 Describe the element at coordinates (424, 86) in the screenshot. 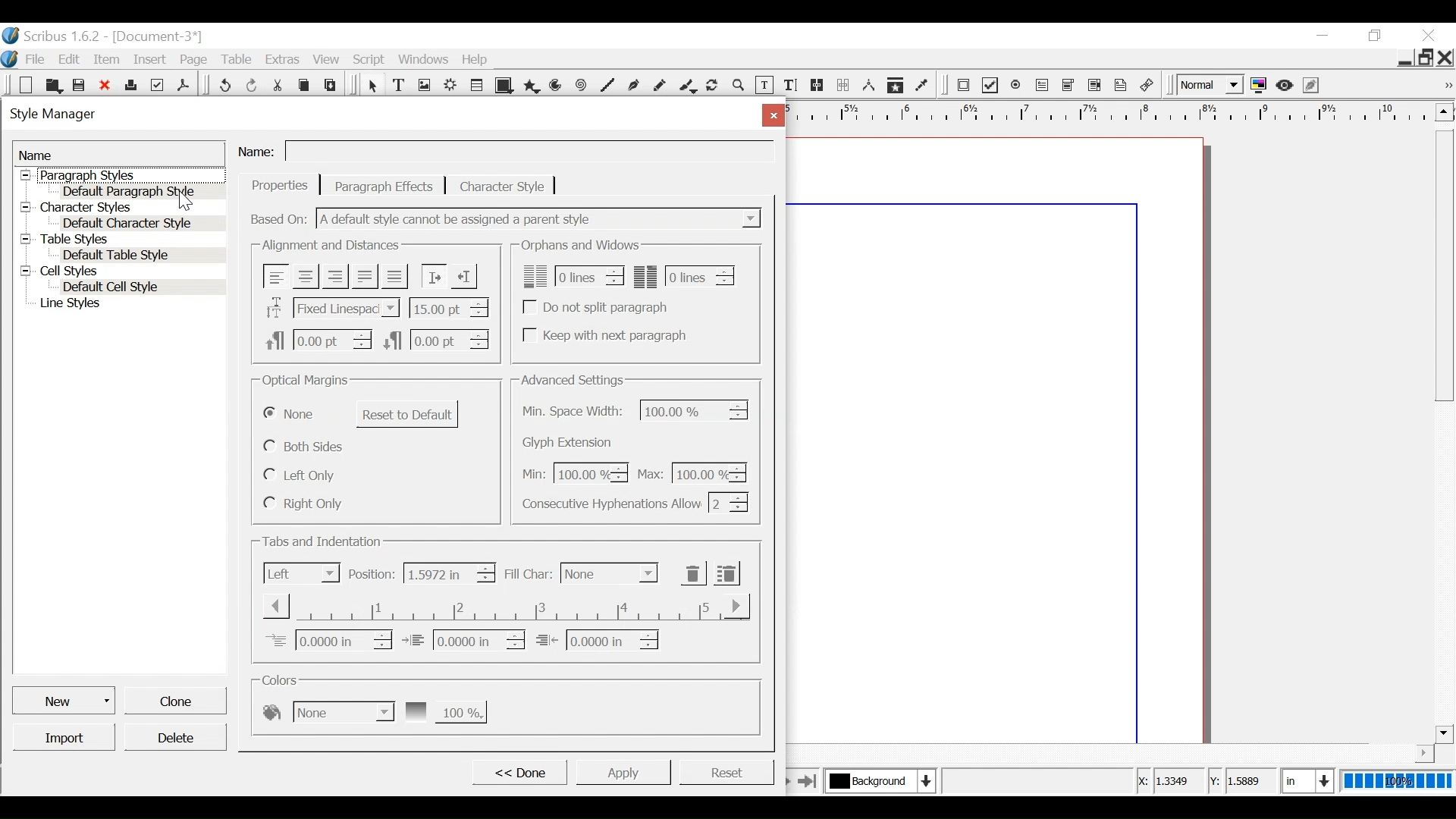

I see `Image frame` at that location.